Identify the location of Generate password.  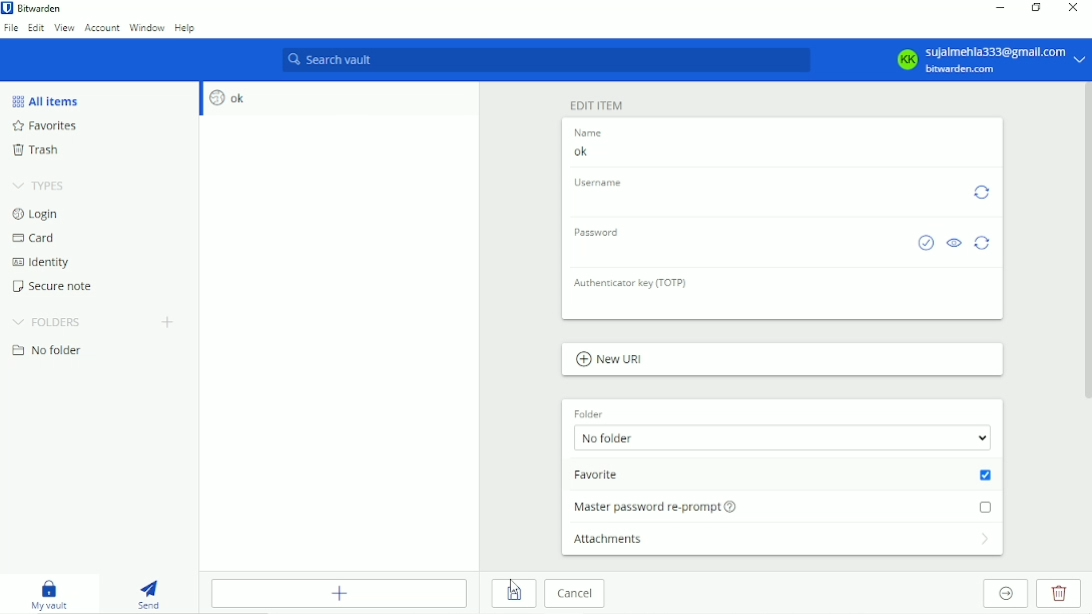
(984, 243).